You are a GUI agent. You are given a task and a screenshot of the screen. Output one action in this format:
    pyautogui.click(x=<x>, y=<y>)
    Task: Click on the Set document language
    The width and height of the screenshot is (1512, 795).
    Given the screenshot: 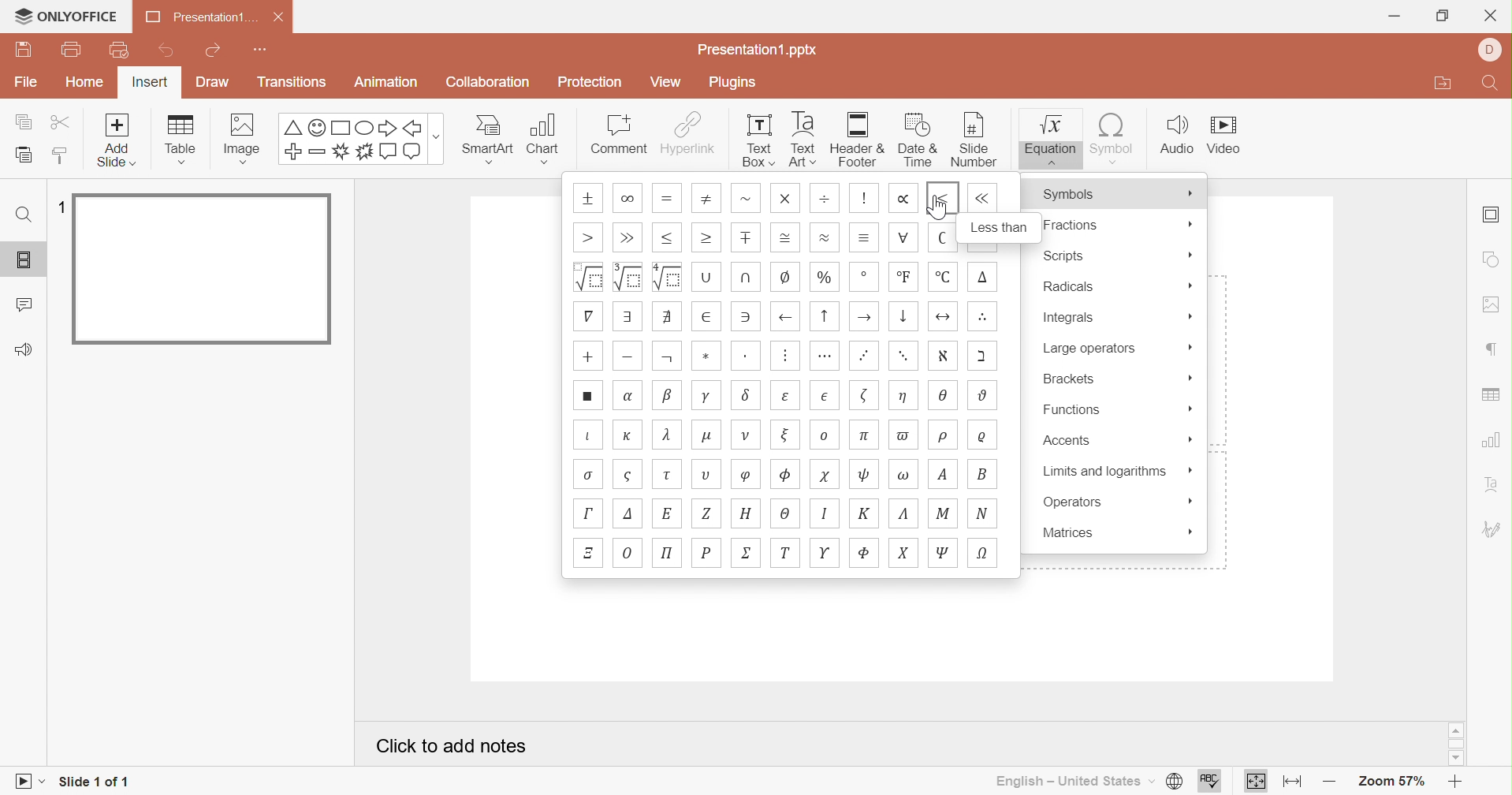 What is the action you would take?
    pyautogui.click(x=1175, y=782)
    